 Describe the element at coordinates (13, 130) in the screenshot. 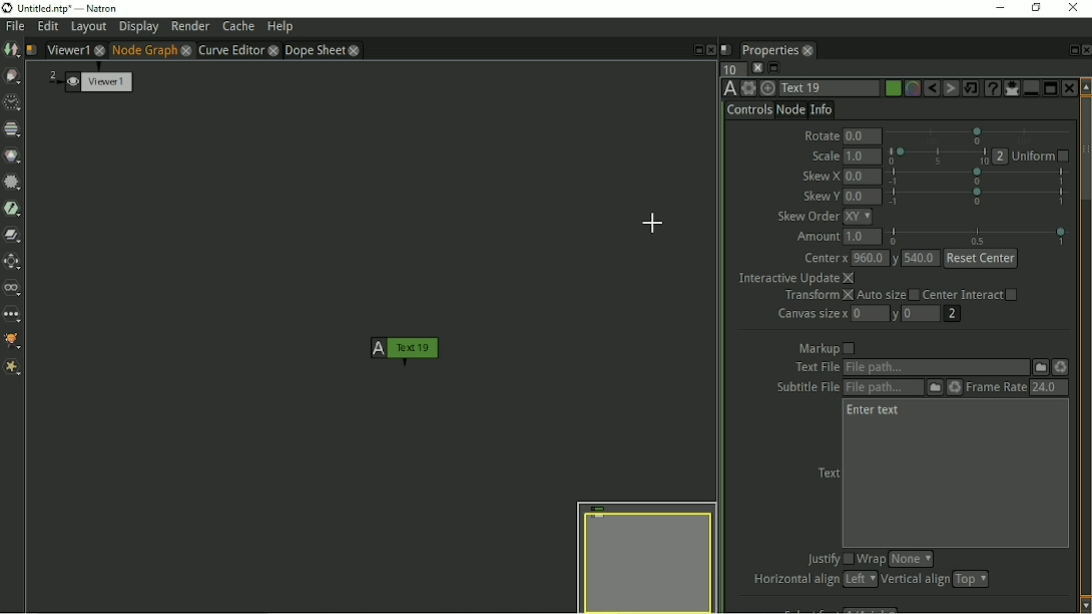

I see `Channel` at that location.